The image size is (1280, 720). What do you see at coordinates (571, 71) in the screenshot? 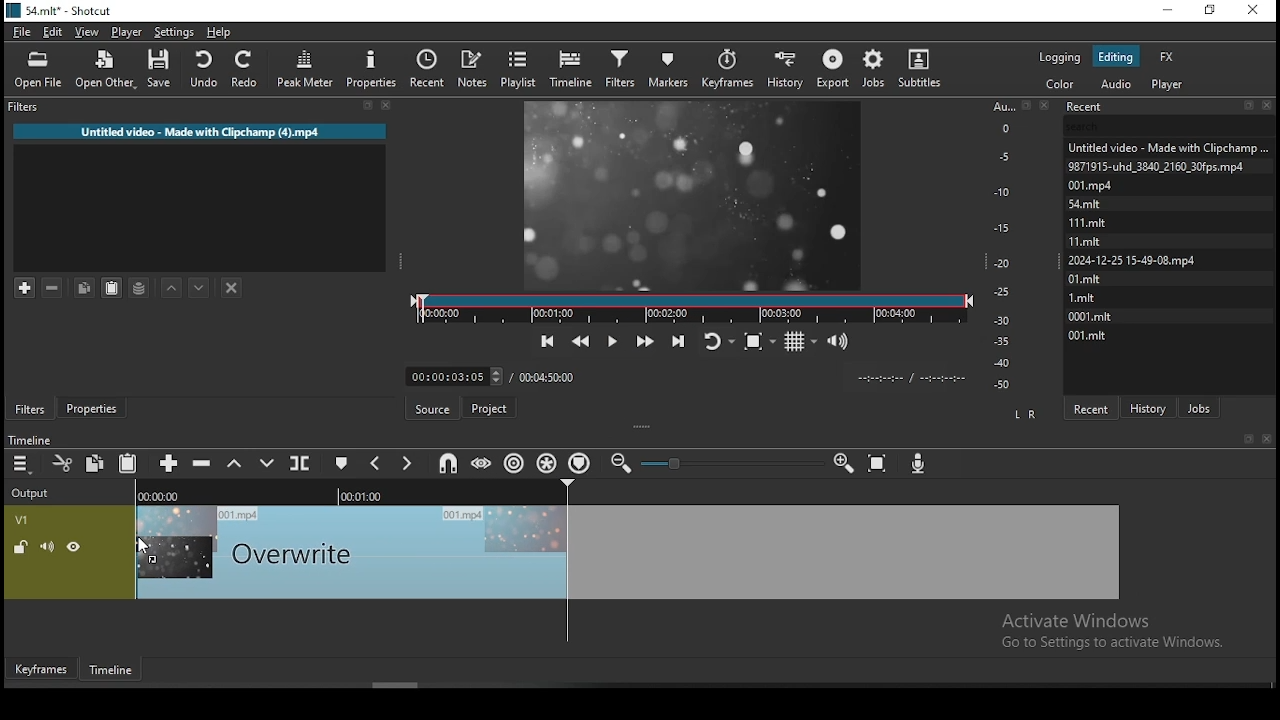
I see `timeline` at bounding box center [571, 71].